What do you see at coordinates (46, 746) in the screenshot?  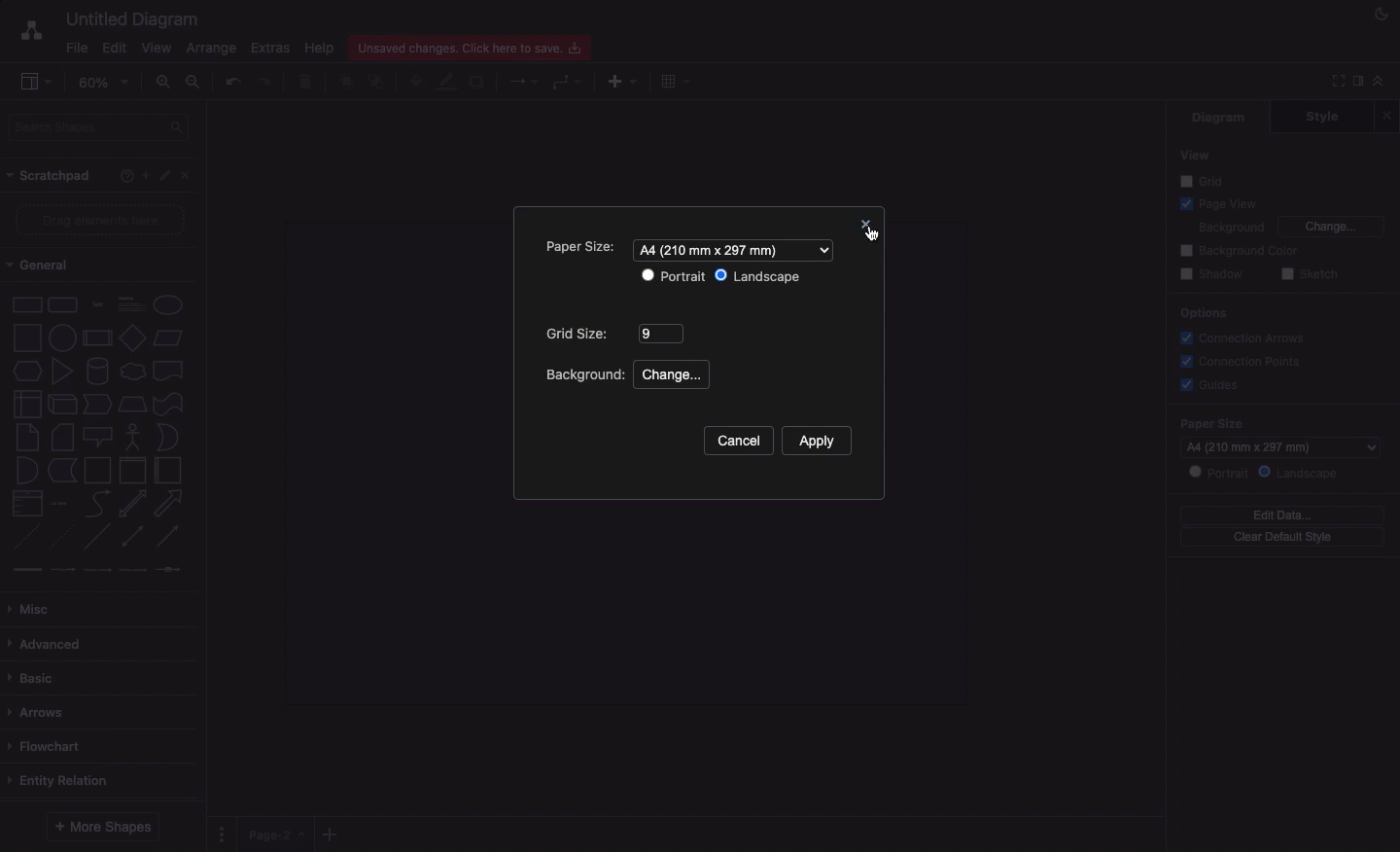 I see `Flowchart` at bounding box center [46, 746].